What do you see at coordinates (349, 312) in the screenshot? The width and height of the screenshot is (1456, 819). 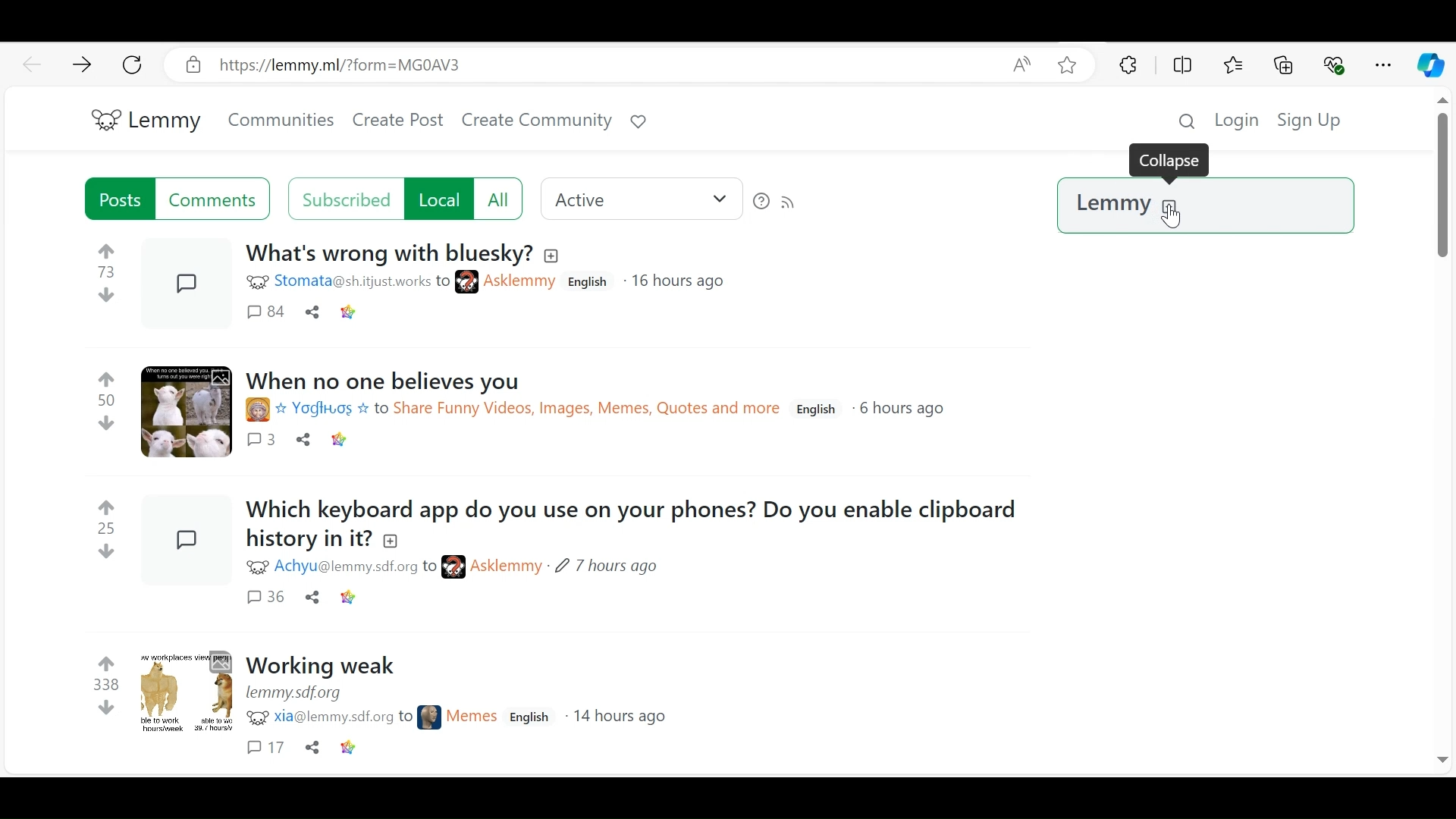 I see `link` at bounding box center [349, 312].